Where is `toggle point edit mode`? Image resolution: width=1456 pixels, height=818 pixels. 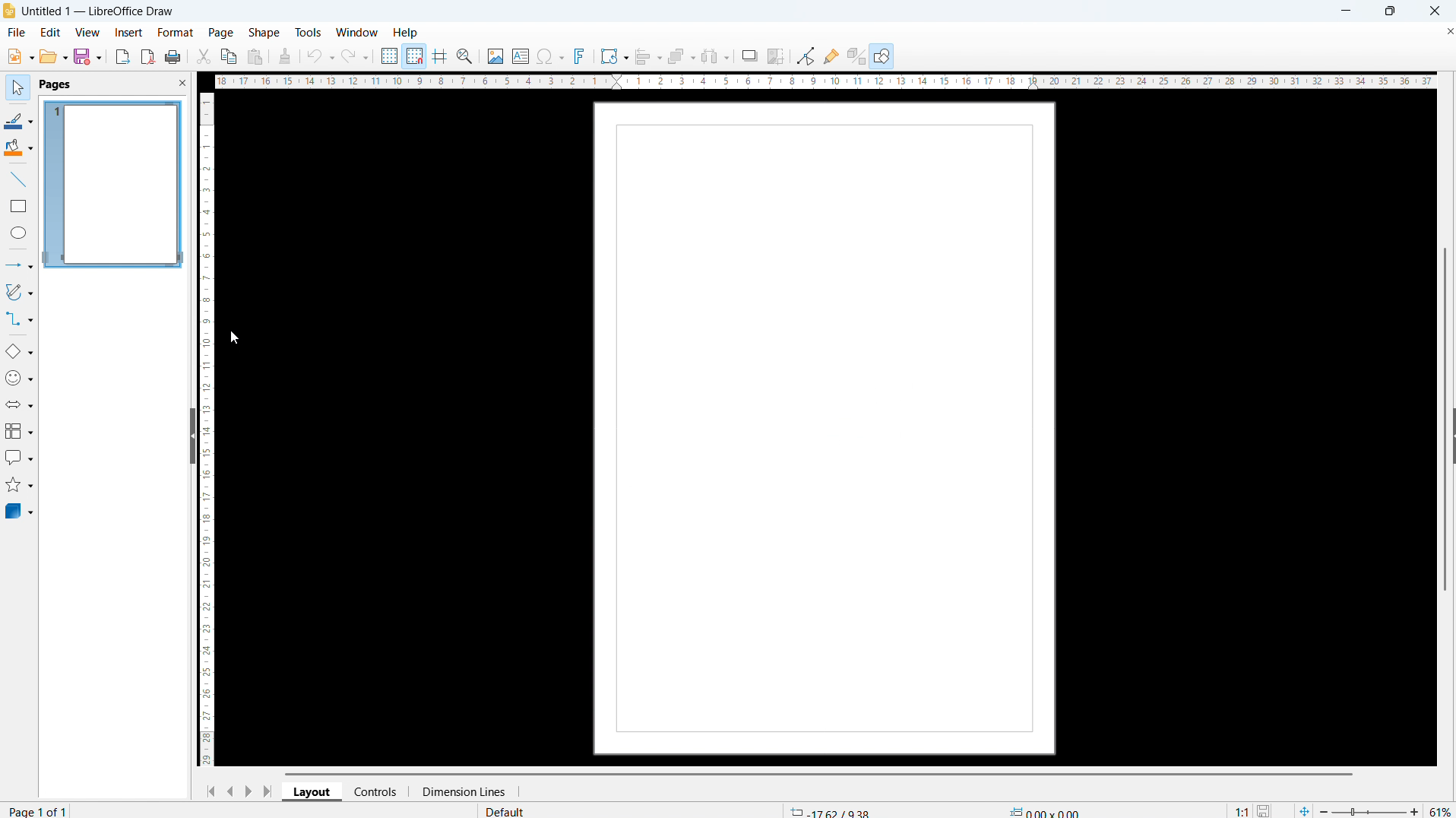
toggle point edit mode is located at coordinates (806, 55).